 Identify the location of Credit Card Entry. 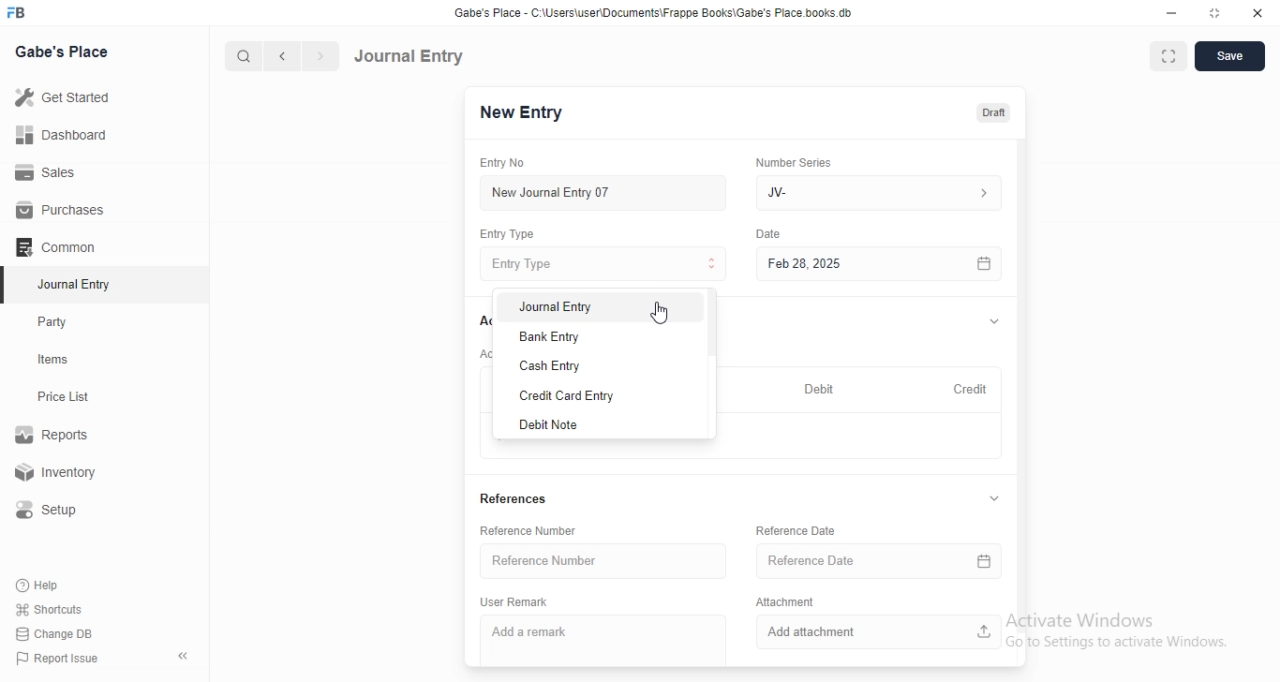
(562, 395).